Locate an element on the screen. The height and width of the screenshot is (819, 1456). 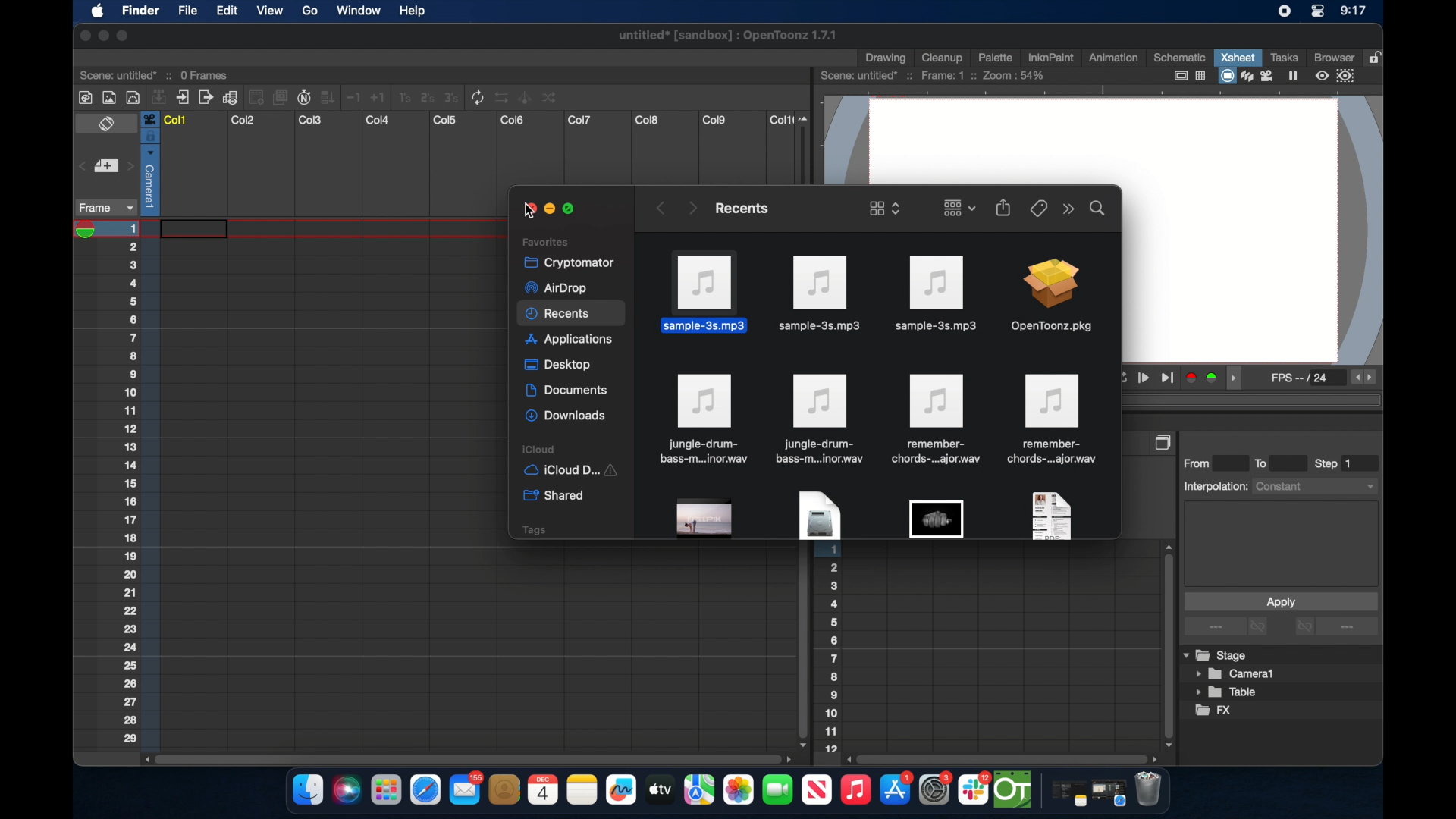
desktop is located at coordinates (560, 366).